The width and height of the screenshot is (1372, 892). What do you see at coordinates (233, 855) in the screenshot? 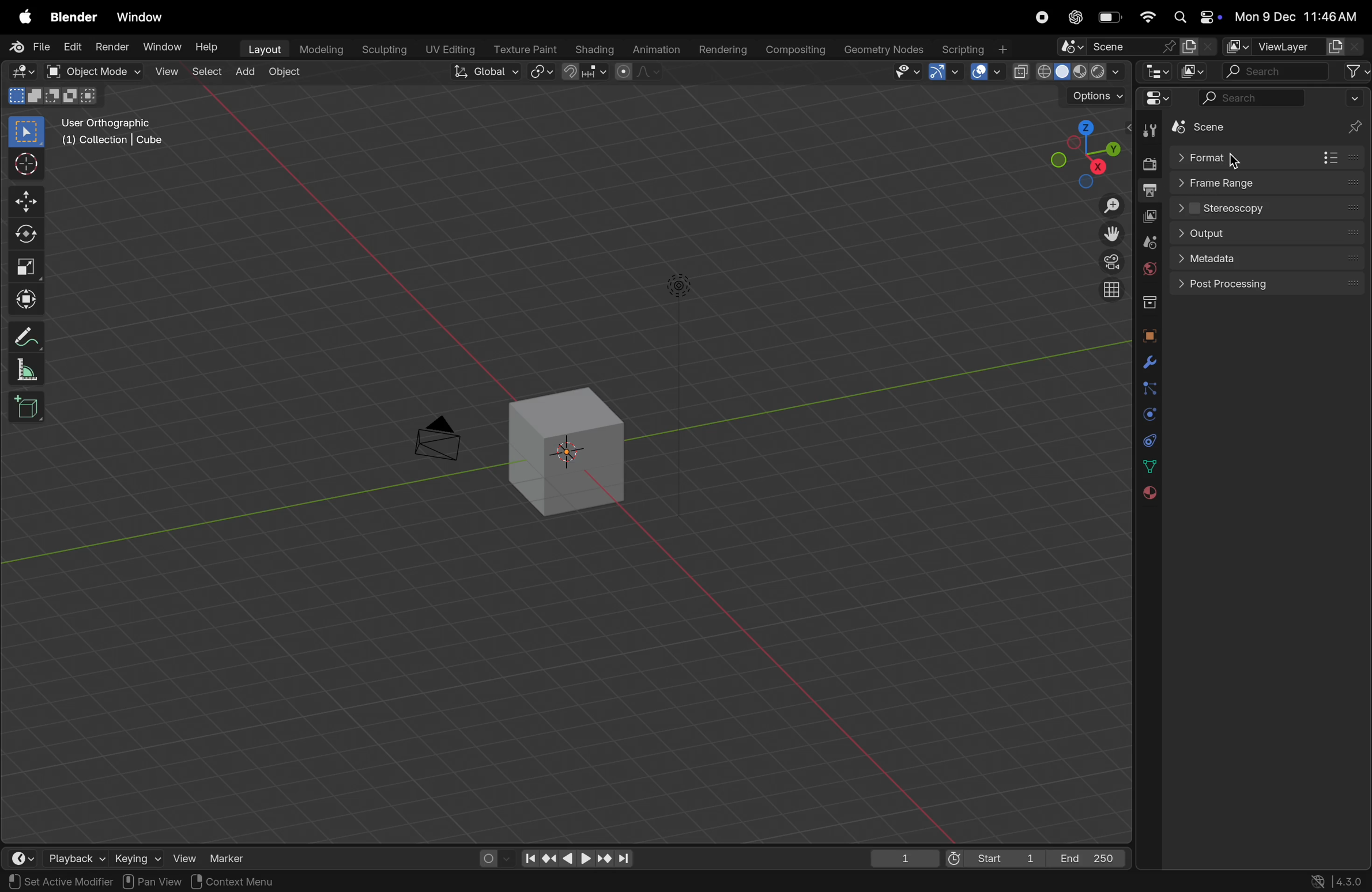
I see `maker` at bounding box center [233, 855].